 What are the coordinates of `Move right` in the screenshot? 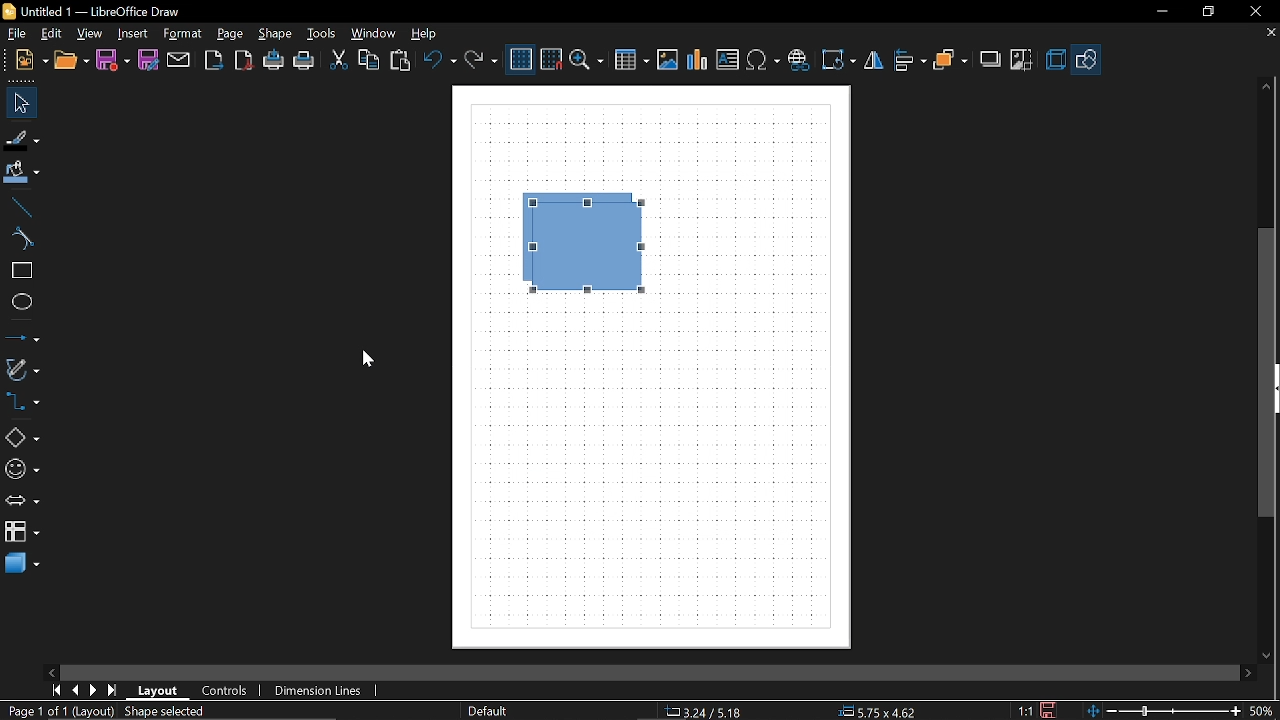 It's located at (1250, 672).